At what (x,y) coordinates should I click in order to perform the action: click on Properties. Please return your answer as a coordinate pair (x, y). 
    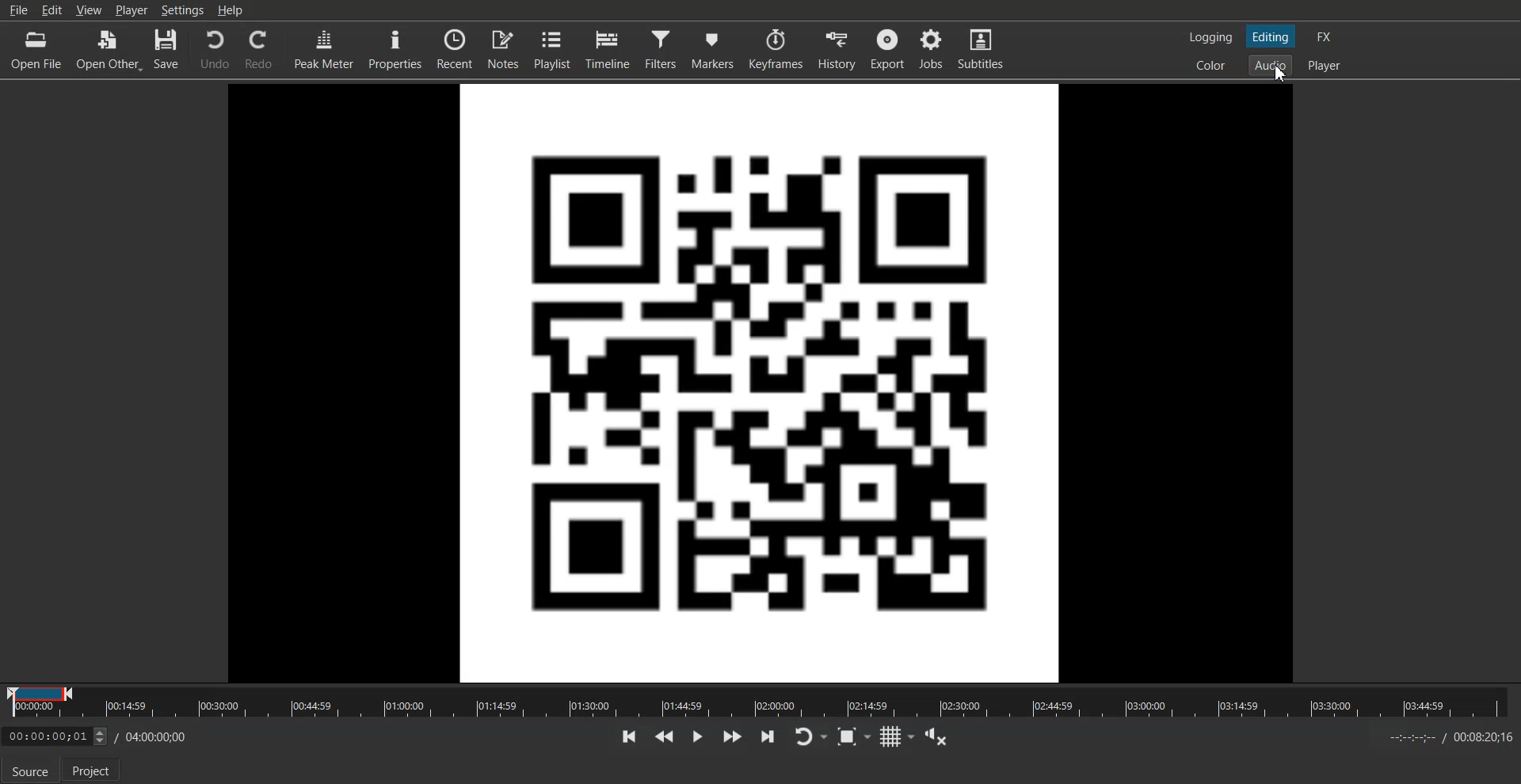
    Looking at the image, I should click on (395, 50).